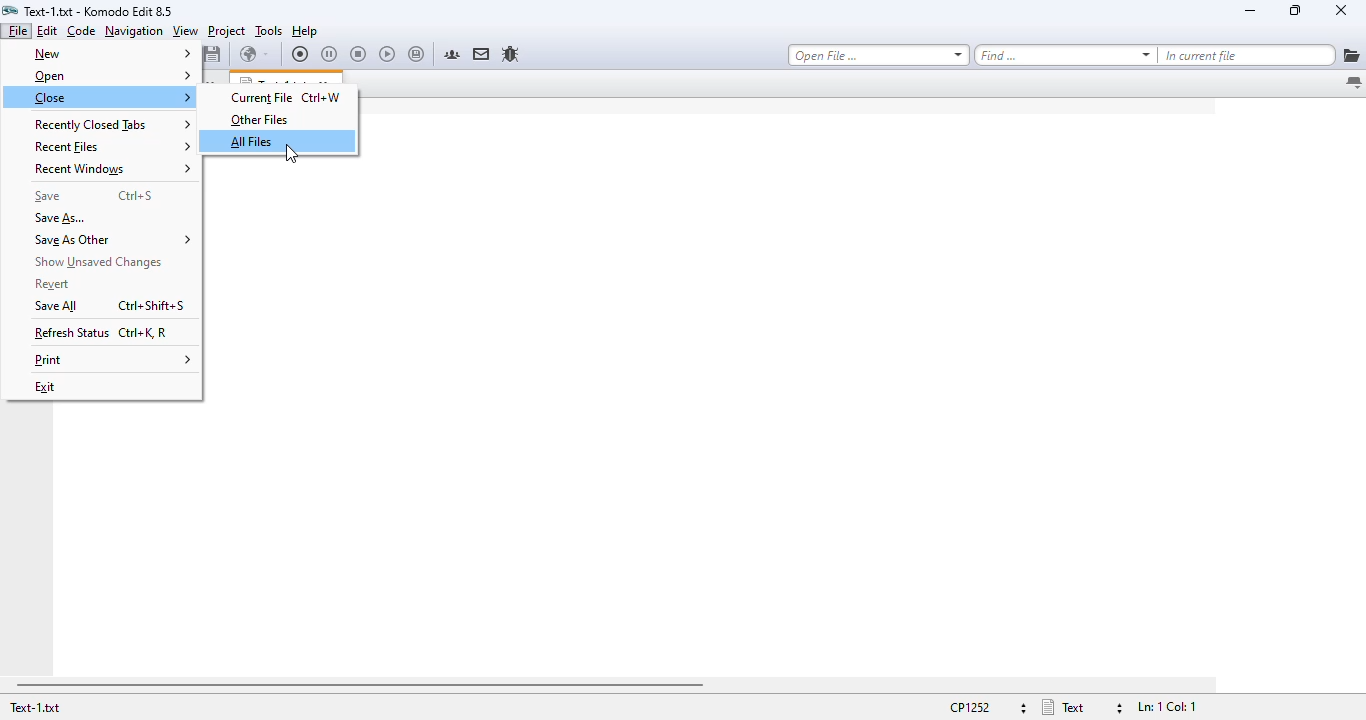  I want to click on all files, so click(254, 141).